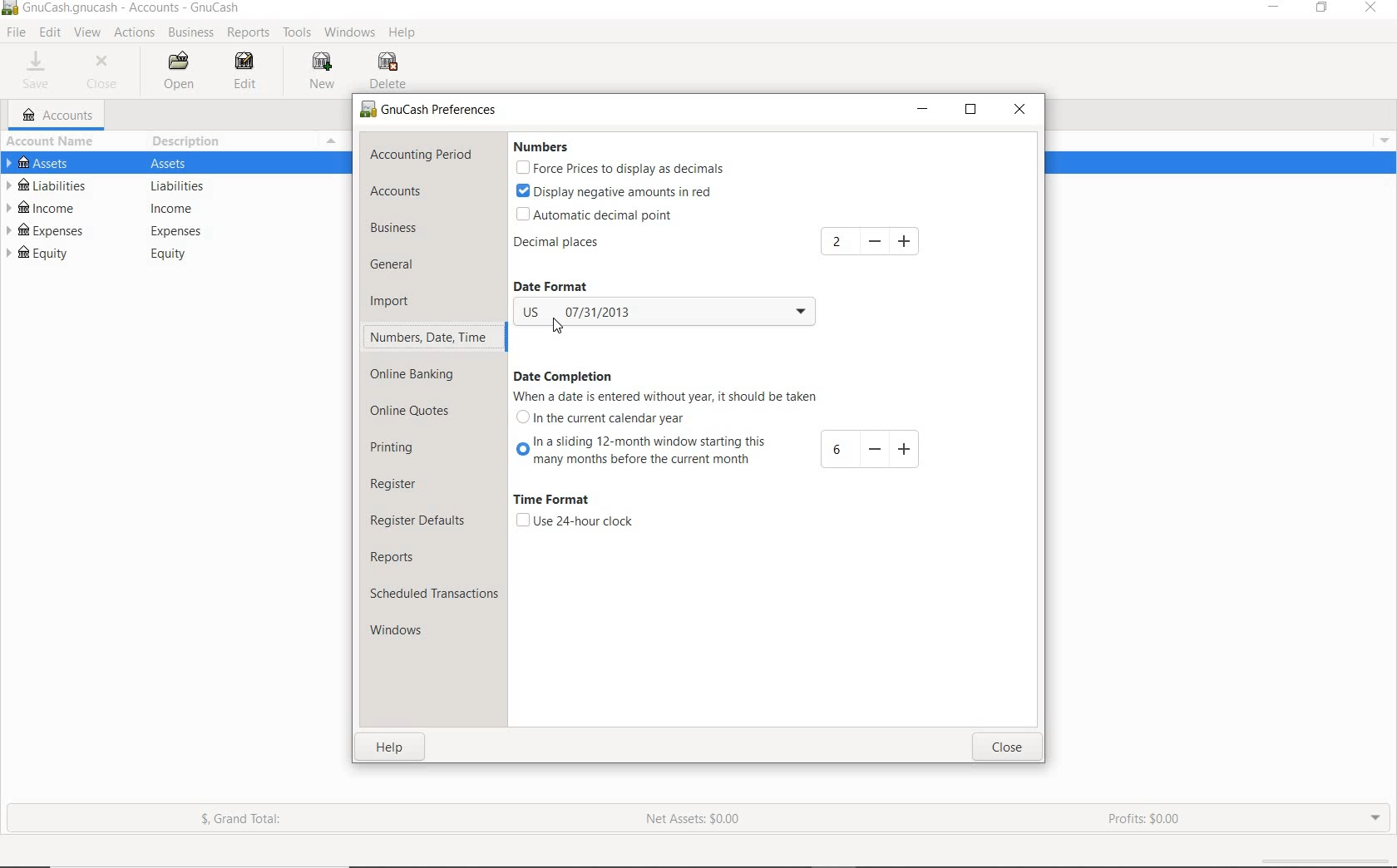  I want to click on decimal places, so click(583, 245).